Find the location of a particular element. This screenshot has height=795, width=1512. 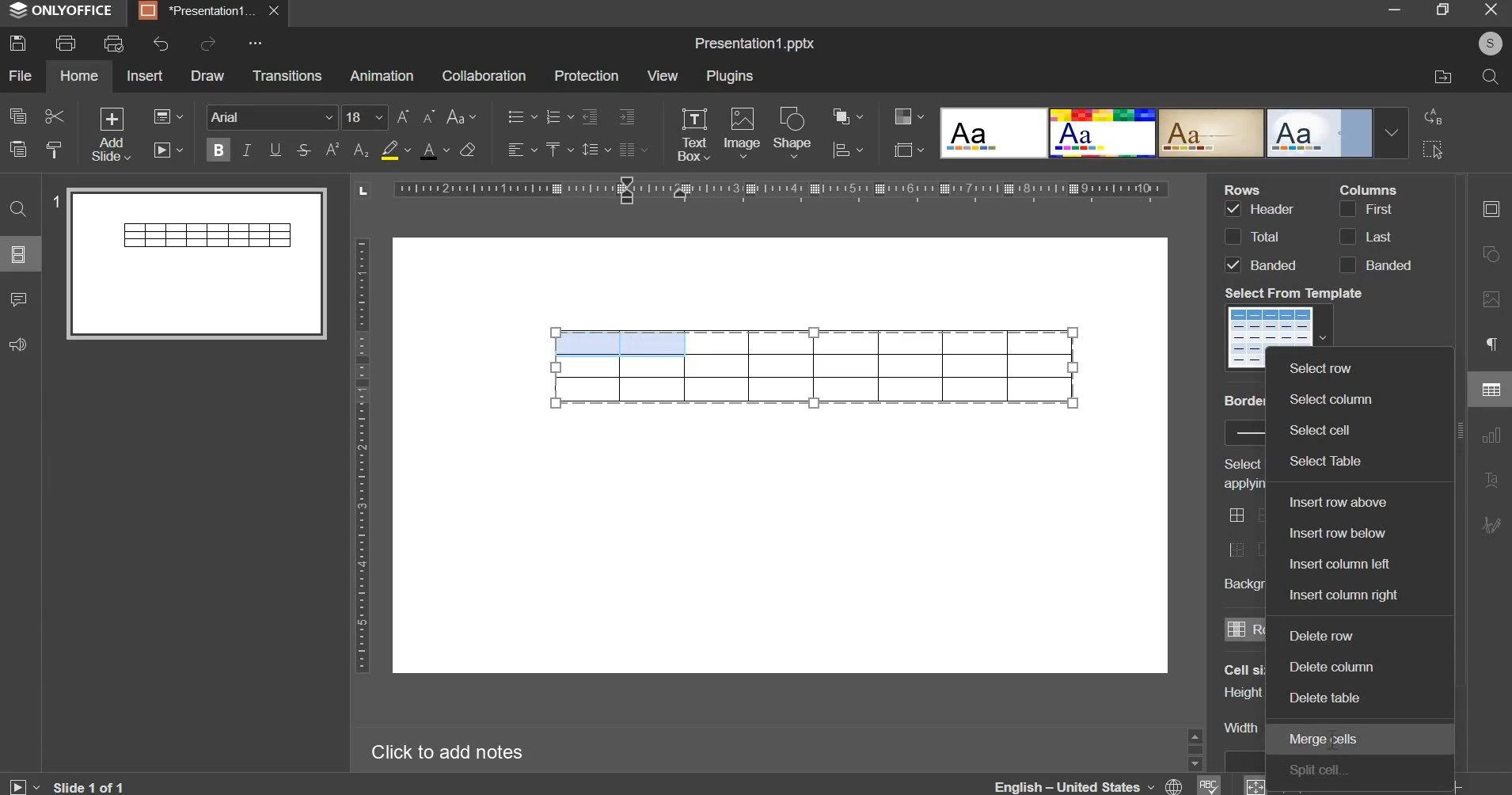

view is located at coordinates (663, 75).